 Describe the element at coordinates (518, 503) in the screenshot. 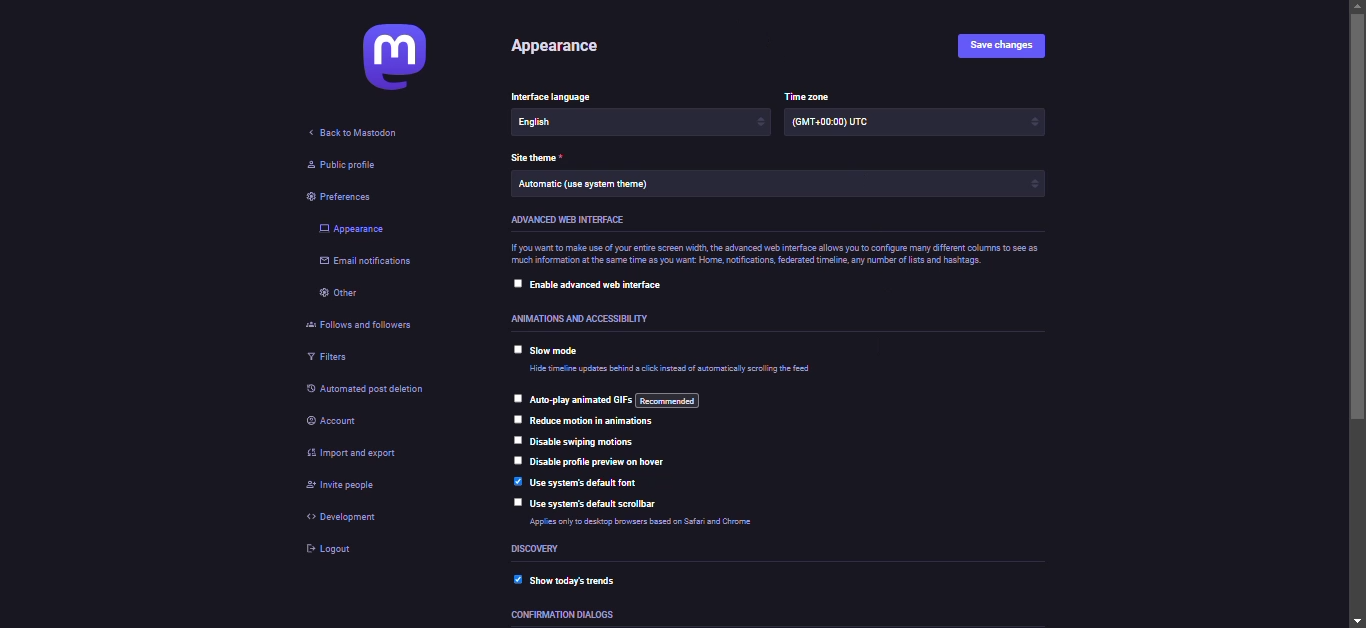

I see `click to select` at that location.